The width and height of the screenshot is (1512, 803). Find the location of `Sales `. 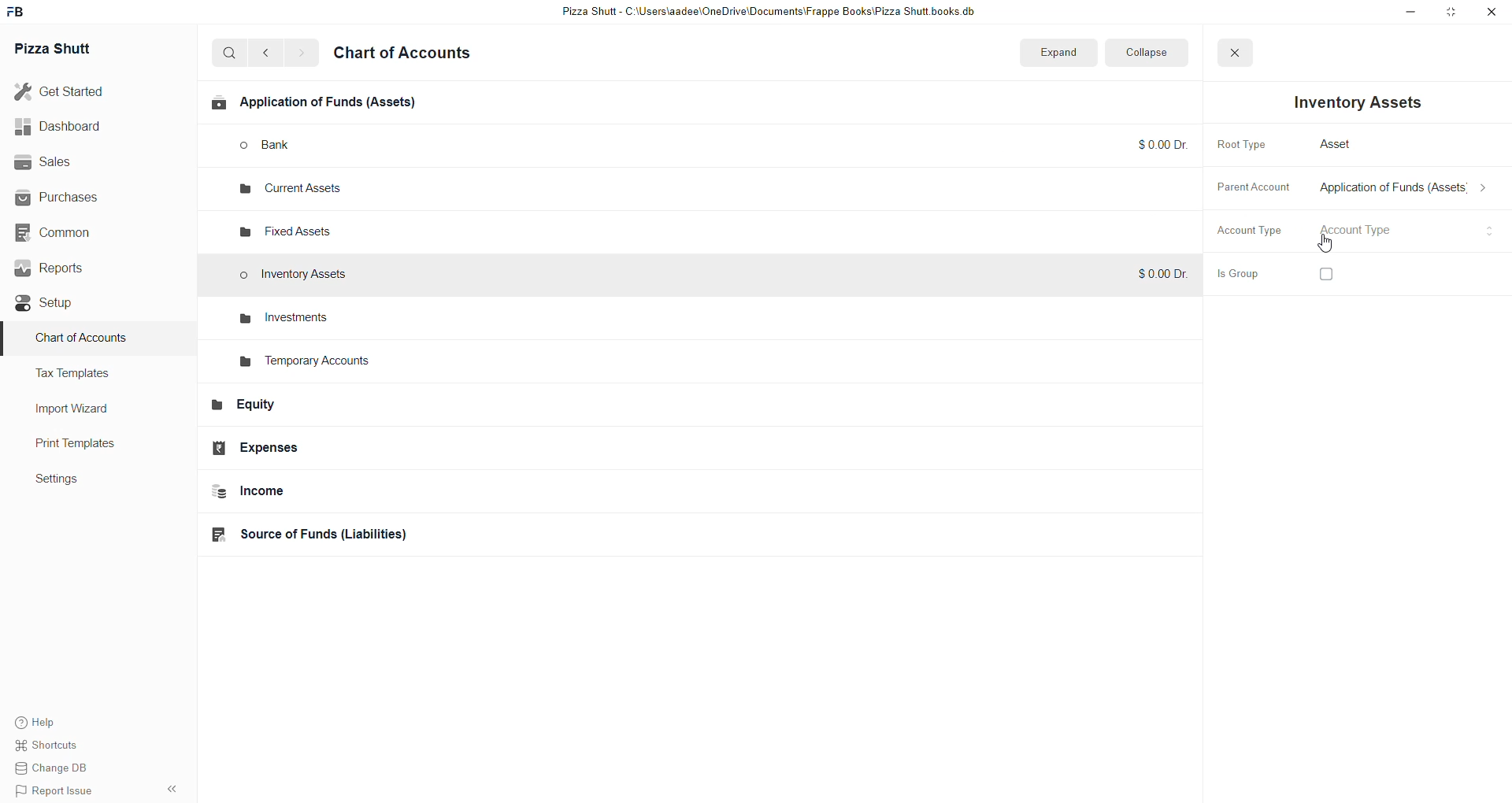

Sales  is located at coordinates (68, 163).